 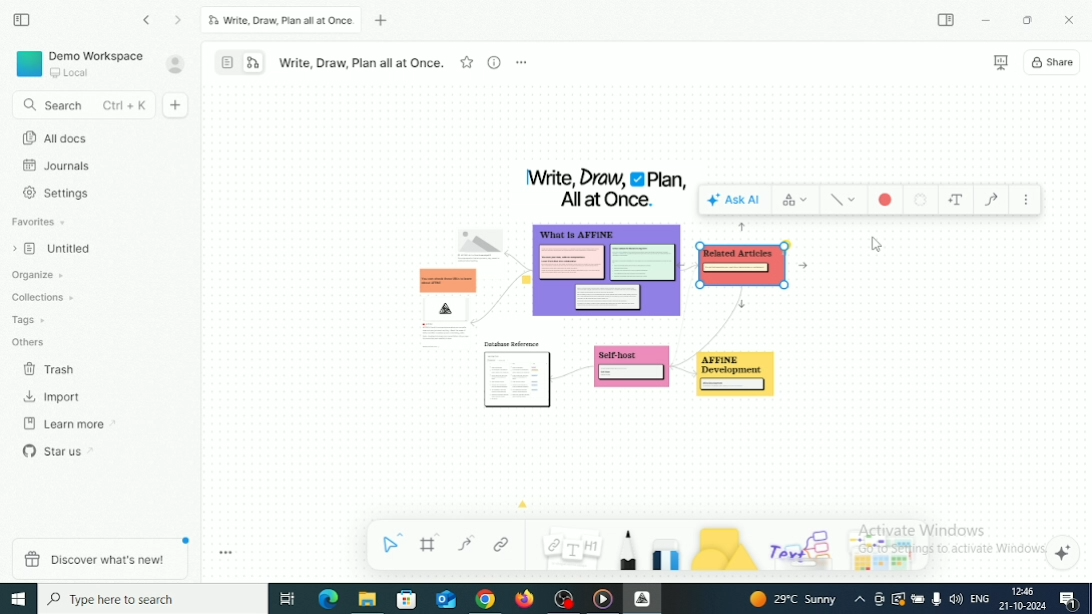 I want to click on More, so click(x=1026, y=200).